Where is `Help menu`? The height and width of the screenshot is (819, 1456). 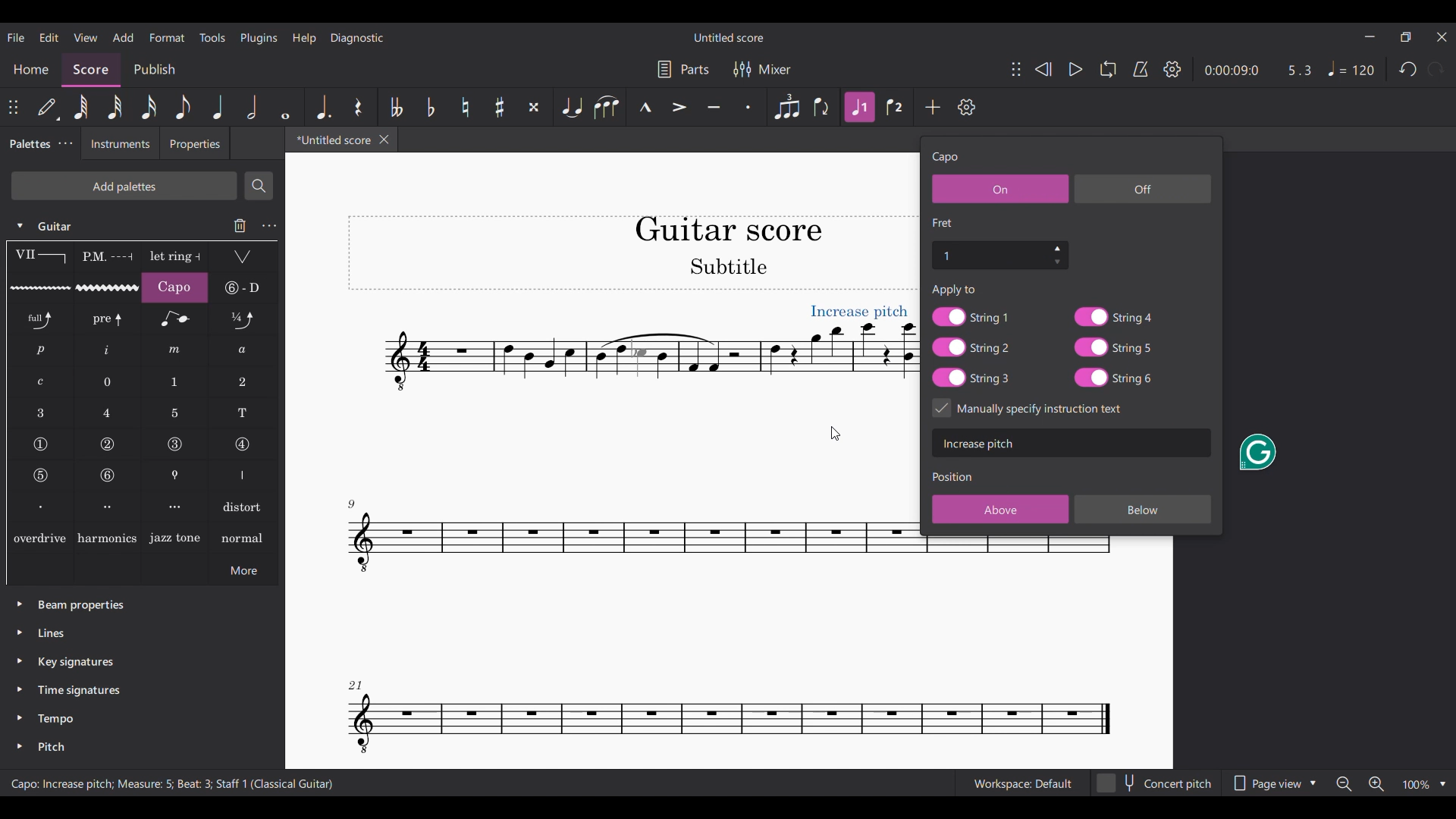
Help menu is located at coordinates (304, 39).